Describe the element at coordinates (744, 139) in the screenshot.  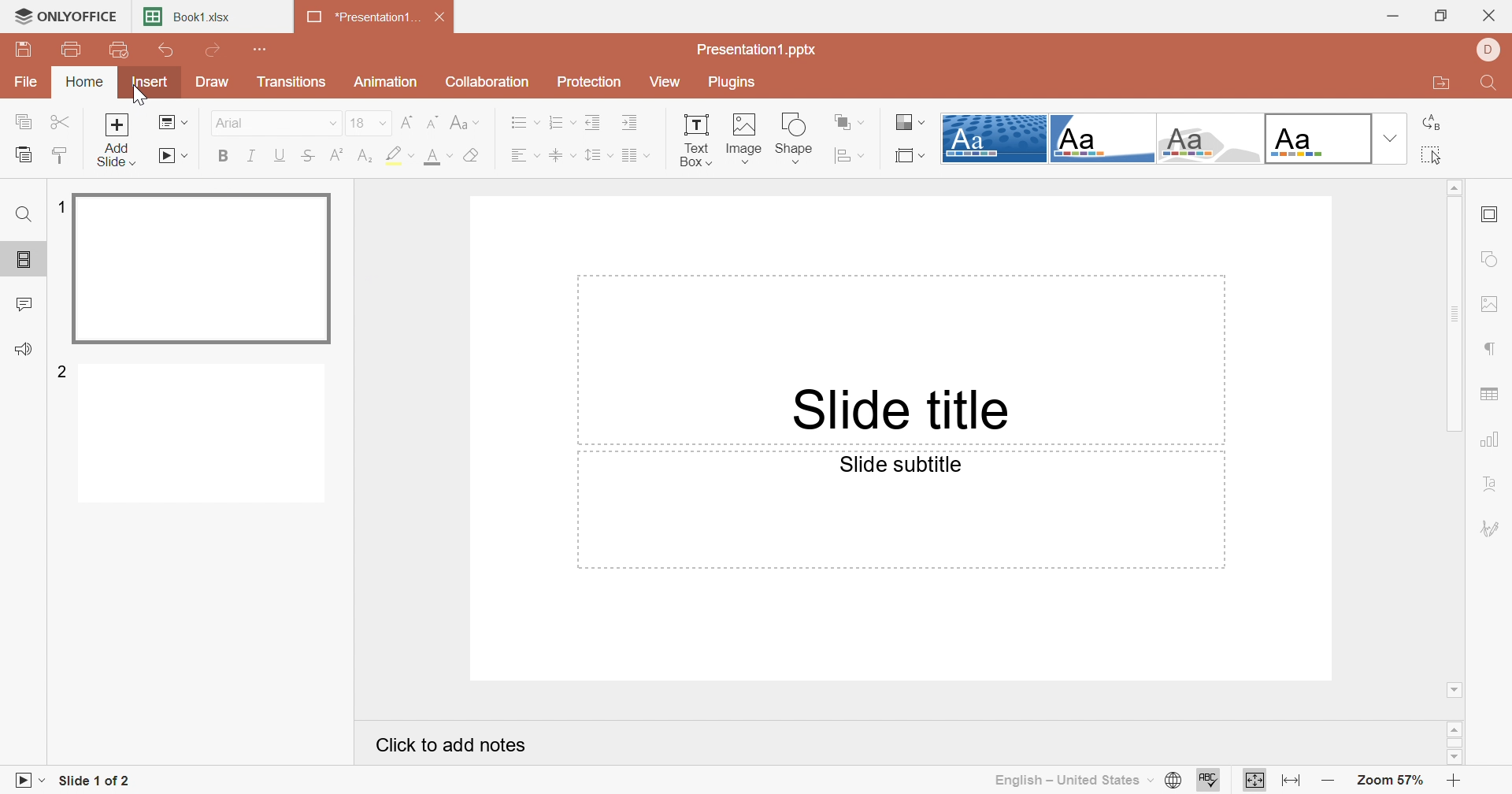
I see `Image` at that location.